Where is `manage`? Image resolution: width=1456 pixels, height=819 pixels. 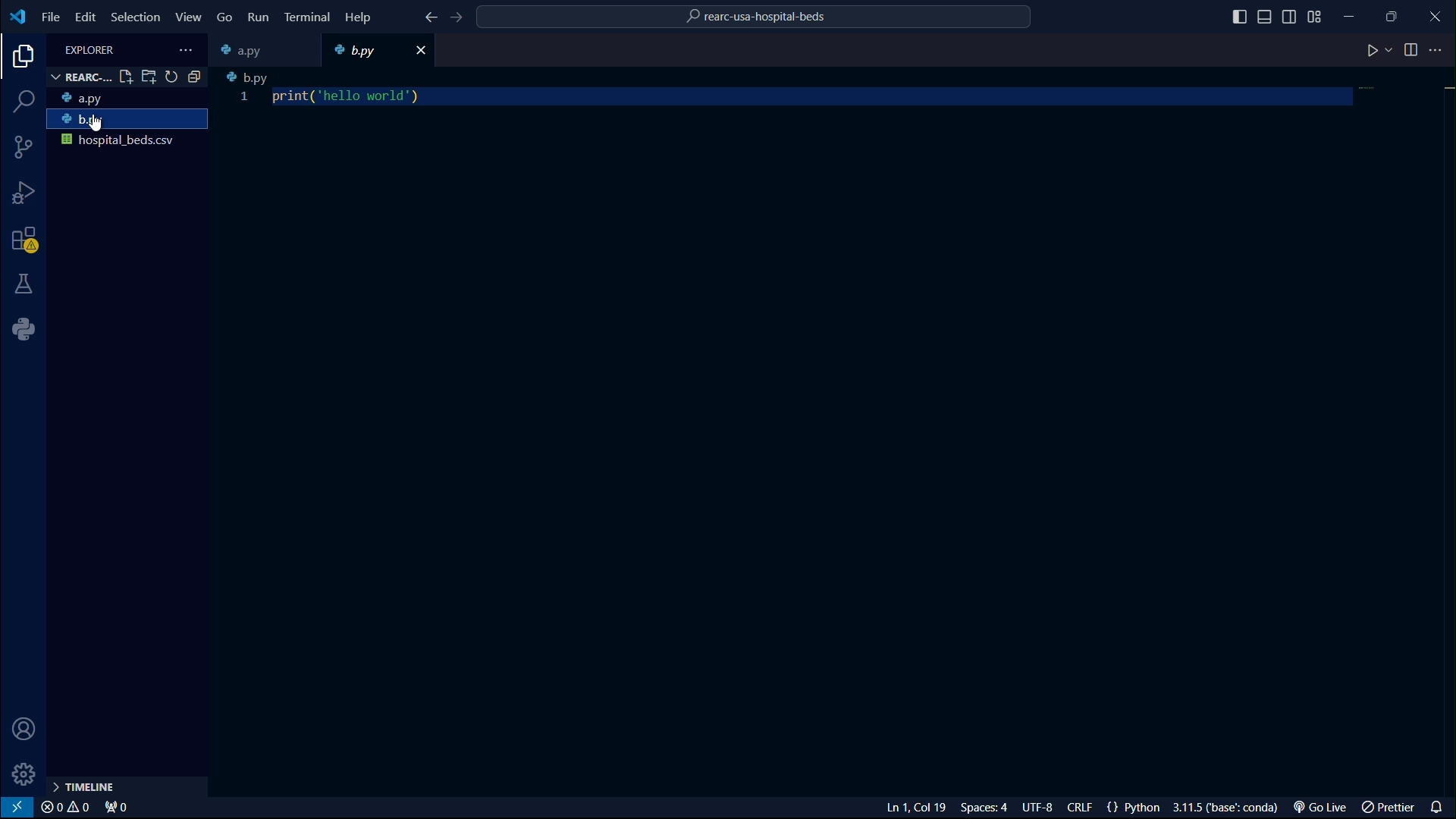 manage is located at coordinates (22, 774).